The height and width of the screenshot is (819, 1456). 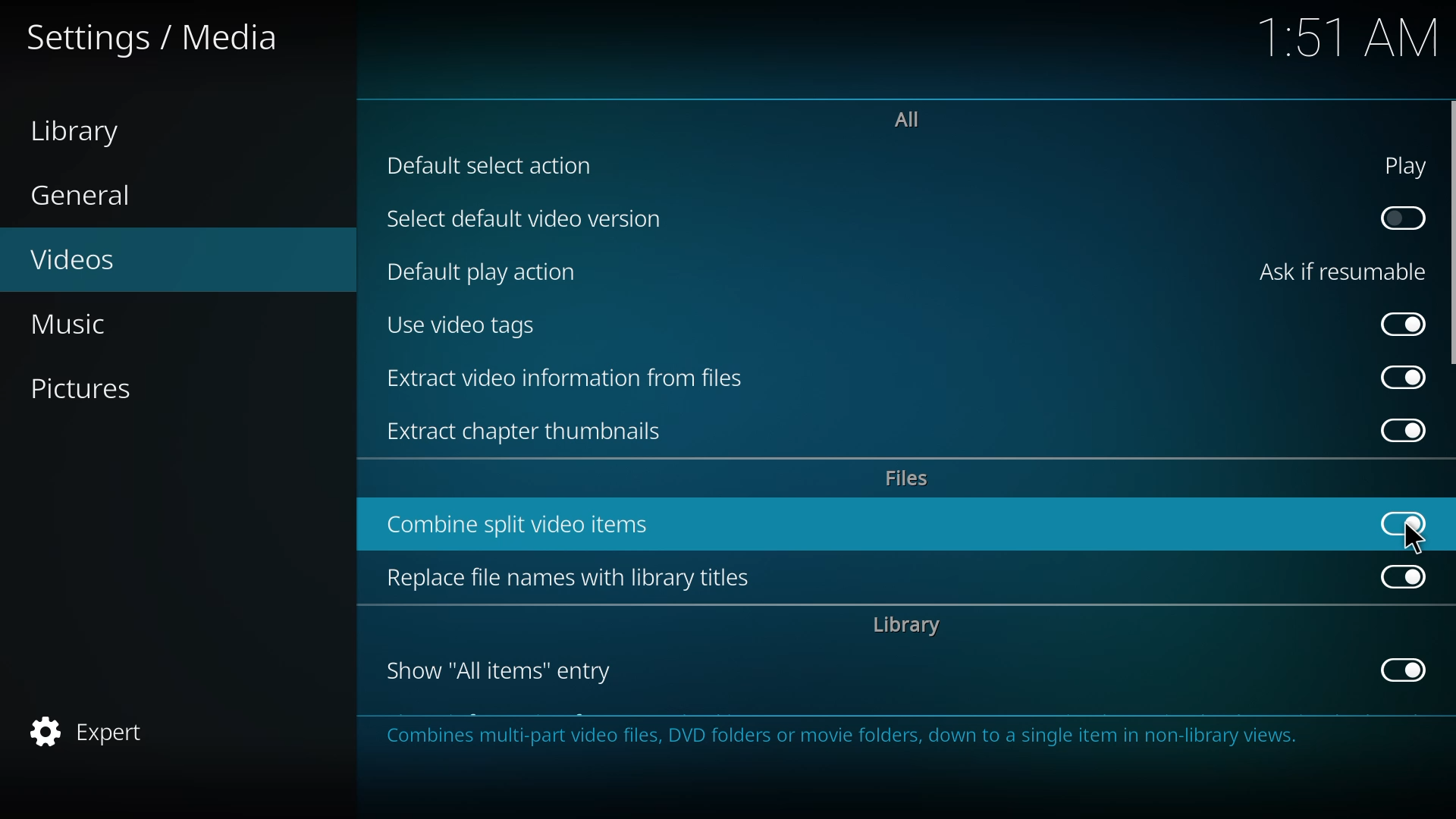 What do you see at coordinates (1397, 430) in the screenshot?
I see `enabled` at bounding box center [1397, 430].